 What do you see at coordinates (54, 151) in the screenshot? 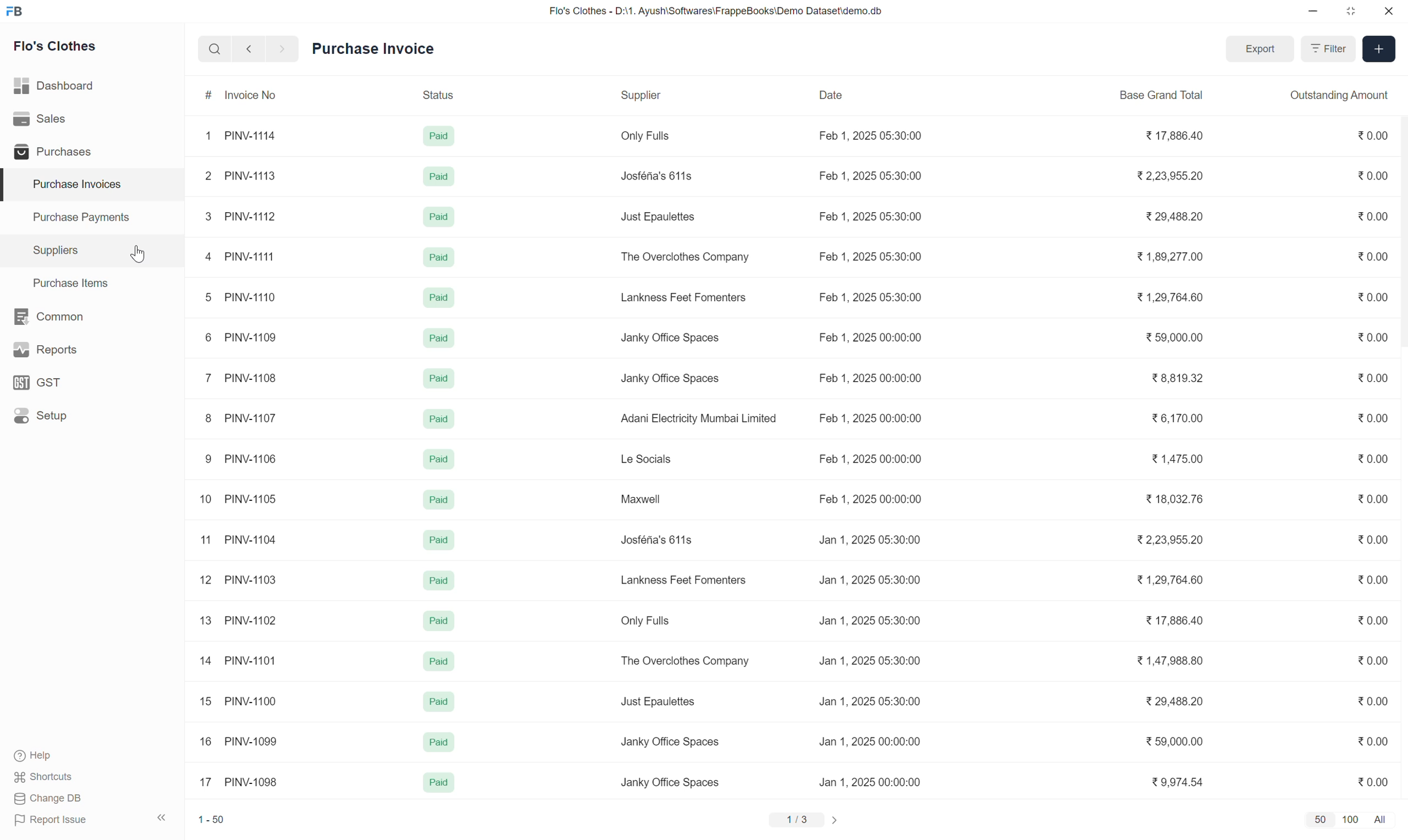
I see `Purchases` at bounding box center [54, 151].